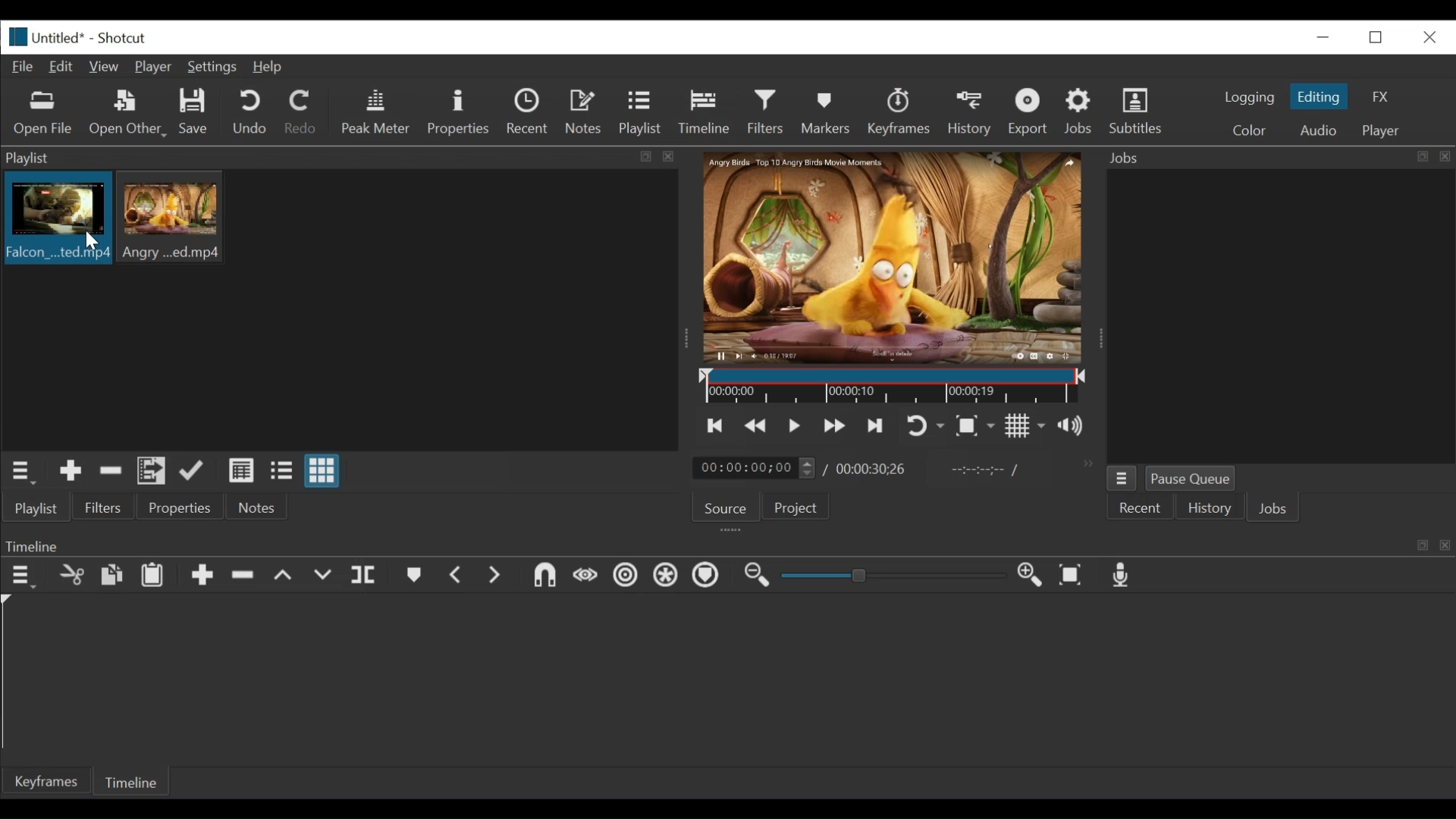 This screenshot has width=1456, height=819. Describe the element at coordinates (134, 780) in the screenshot. I see `Timeline` at that location.